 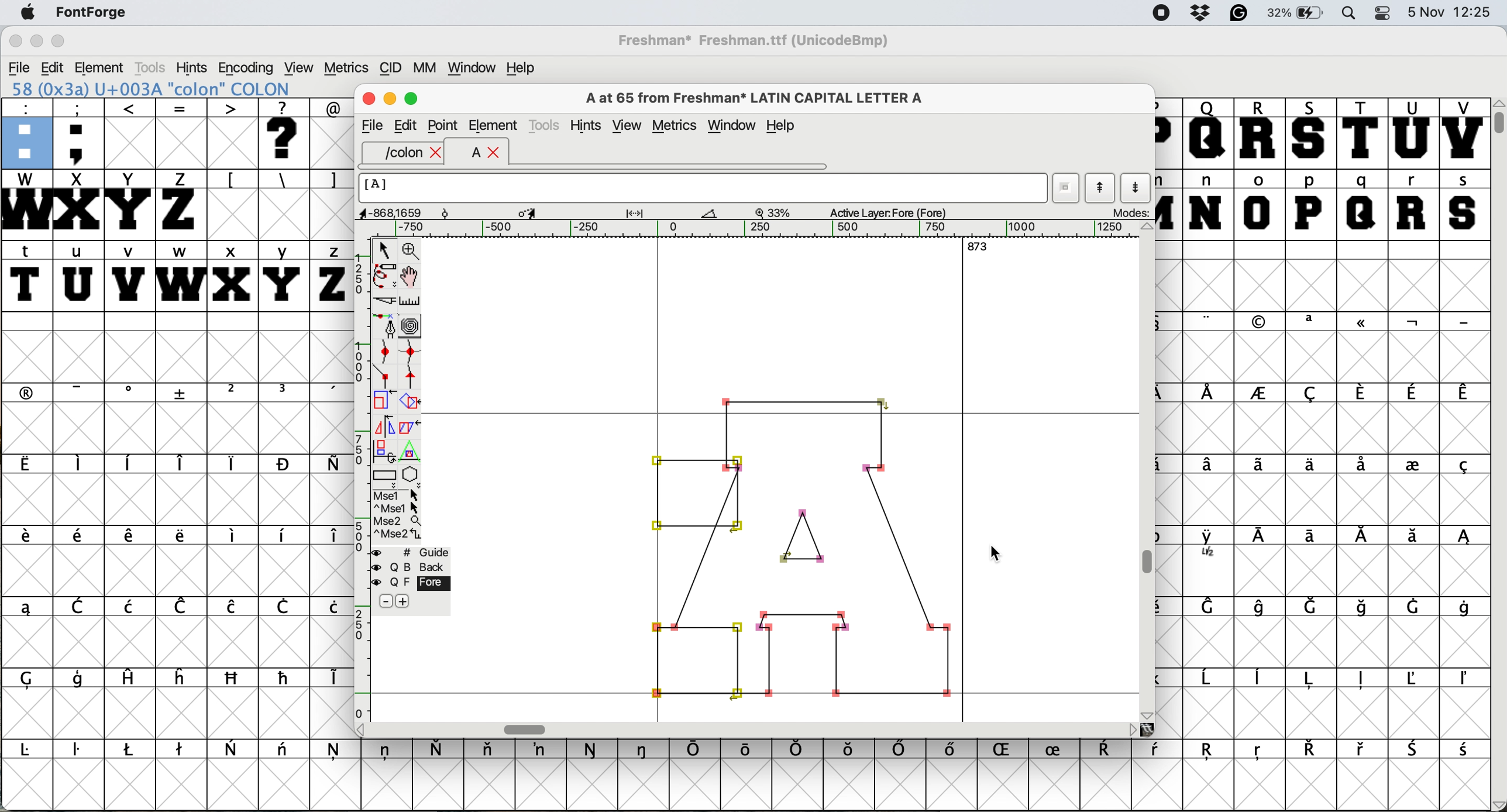 I want to click on symbol, so click(x=1209, y=680).